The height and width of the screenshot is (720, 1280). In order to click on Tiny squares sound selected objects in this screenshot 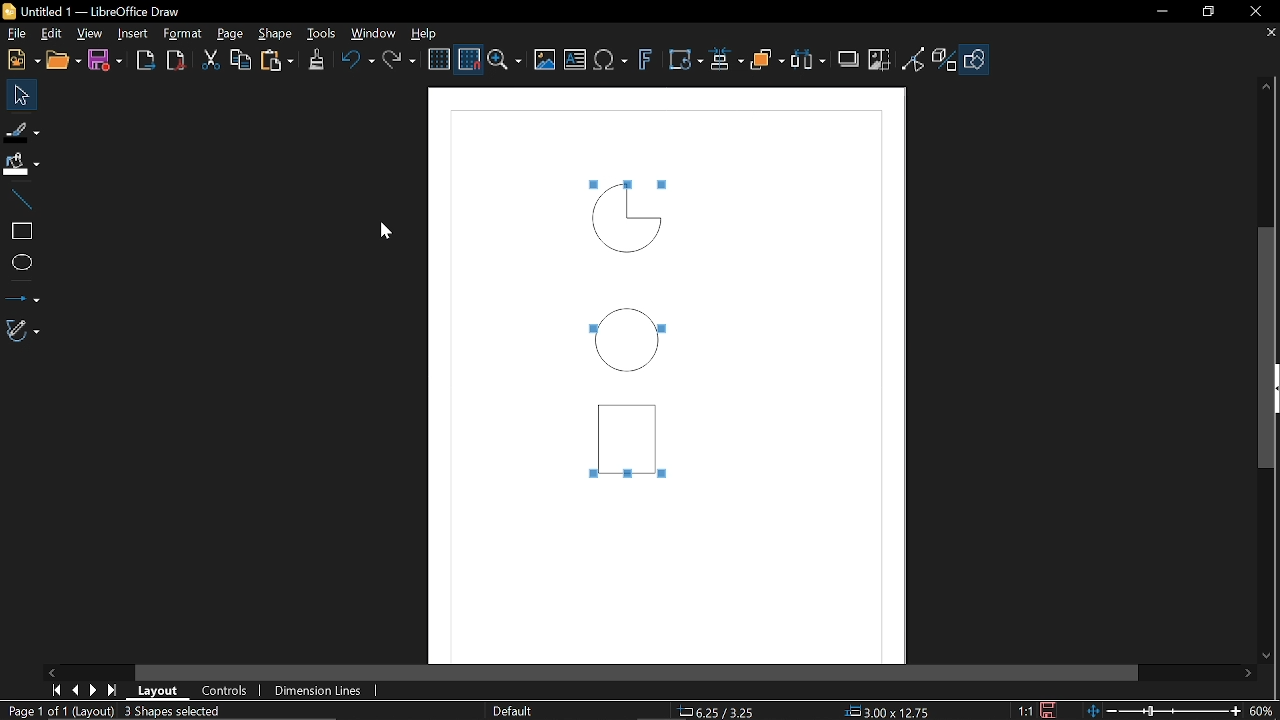, I will do `click(625, 186)`.